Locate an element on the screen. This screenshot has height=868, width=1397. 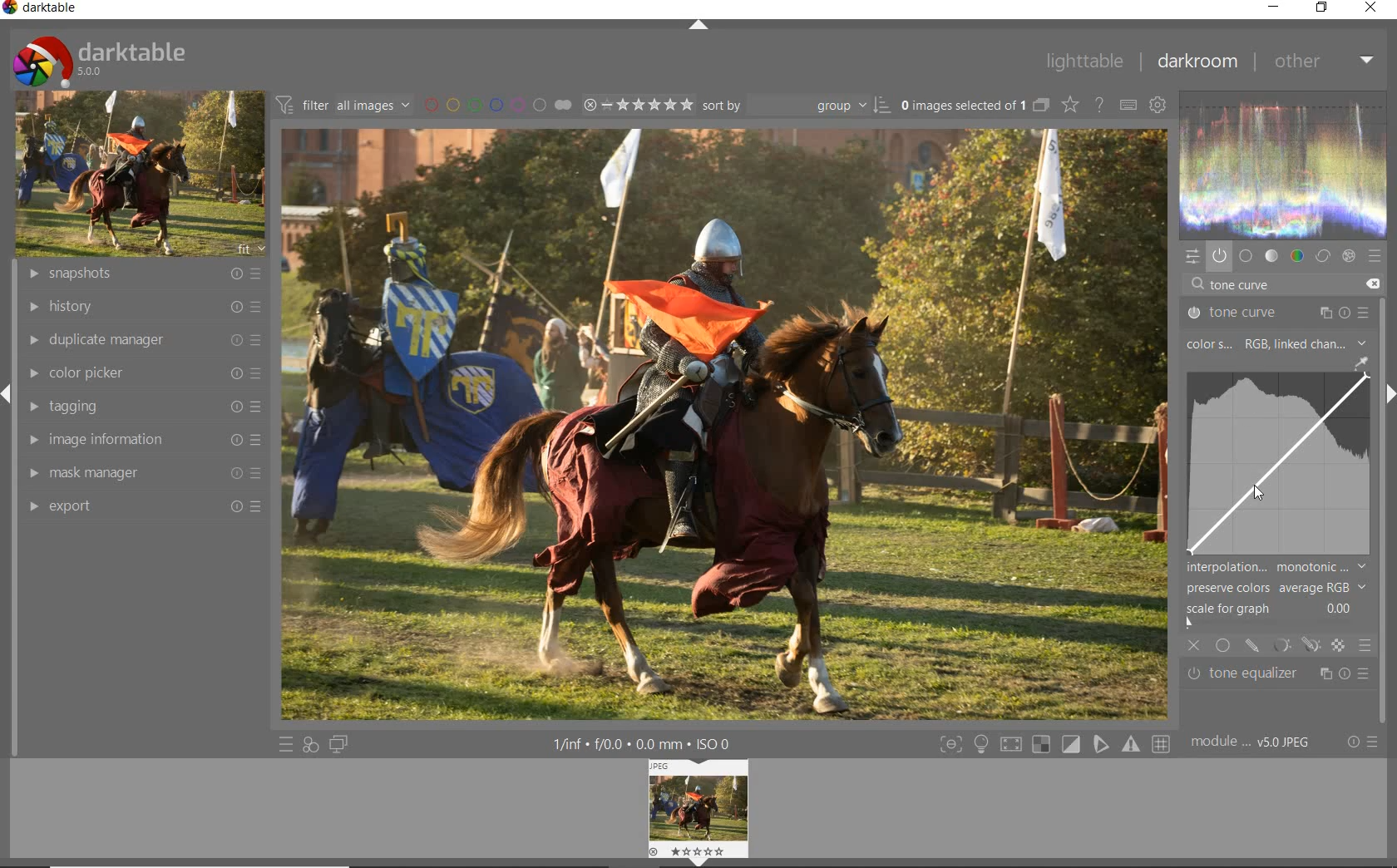
waveform is located at coordinates (1284, 163).